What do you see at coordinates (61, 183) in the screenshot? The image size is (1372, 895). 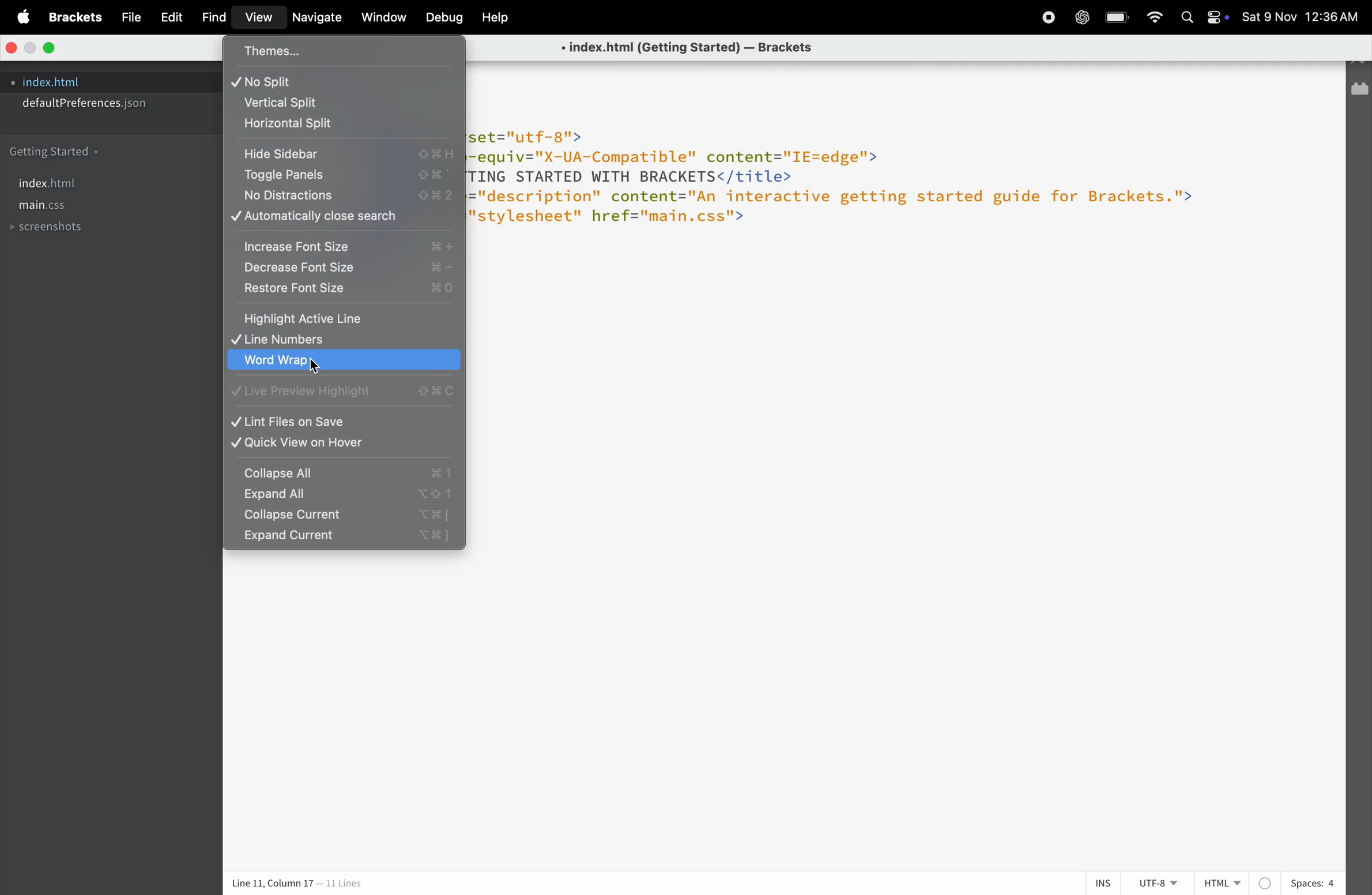 I see `index.html` at bounding box center [61, 183].